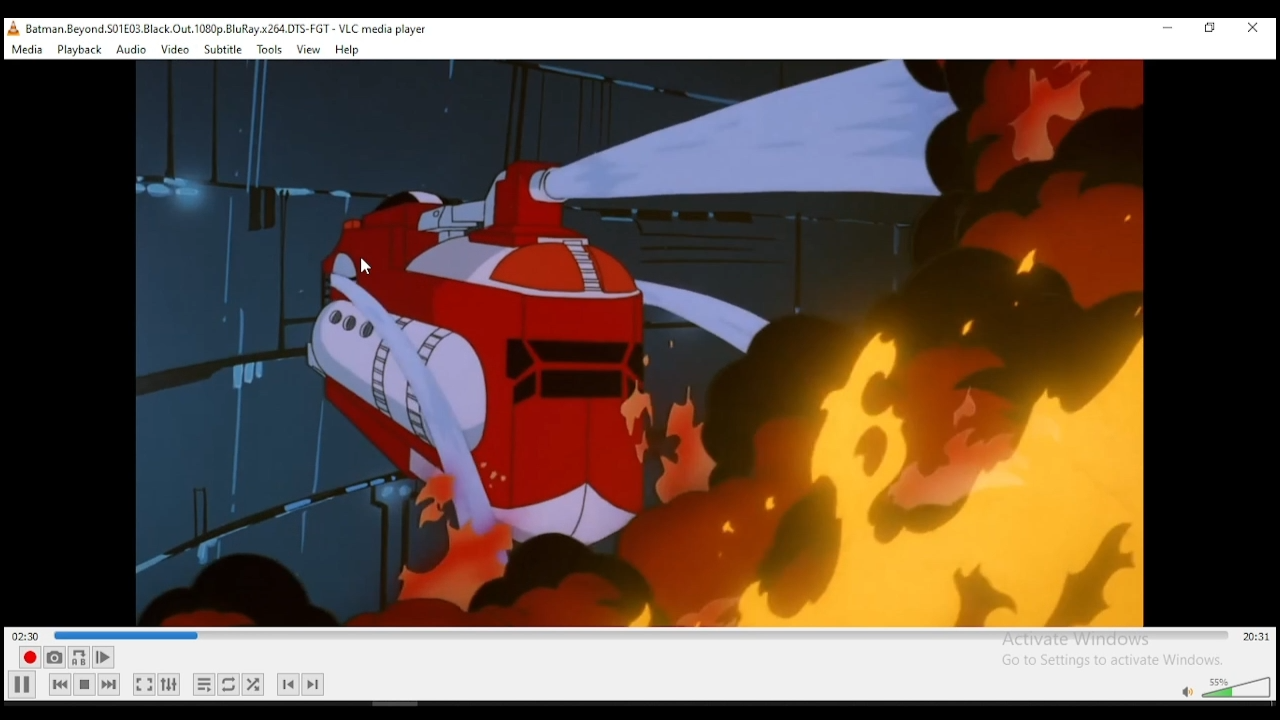 The image size is (1280, 720). I want to click on help, so click(347, 50).